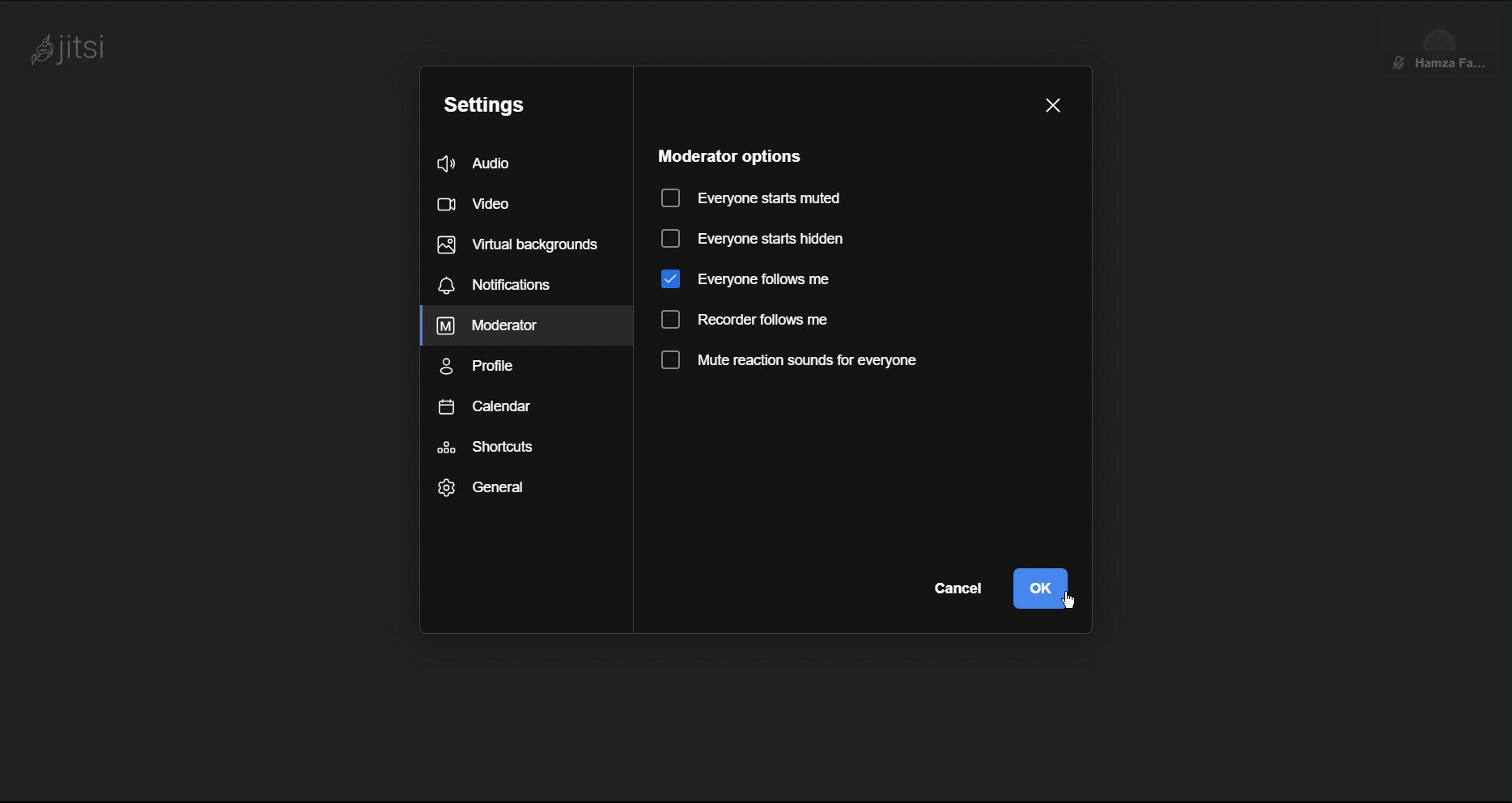 The width and height of the screenshot is (1512, 803). Describe the element at coordinates (75, 49) in the screenshot. I see `Jitsi` at that location.